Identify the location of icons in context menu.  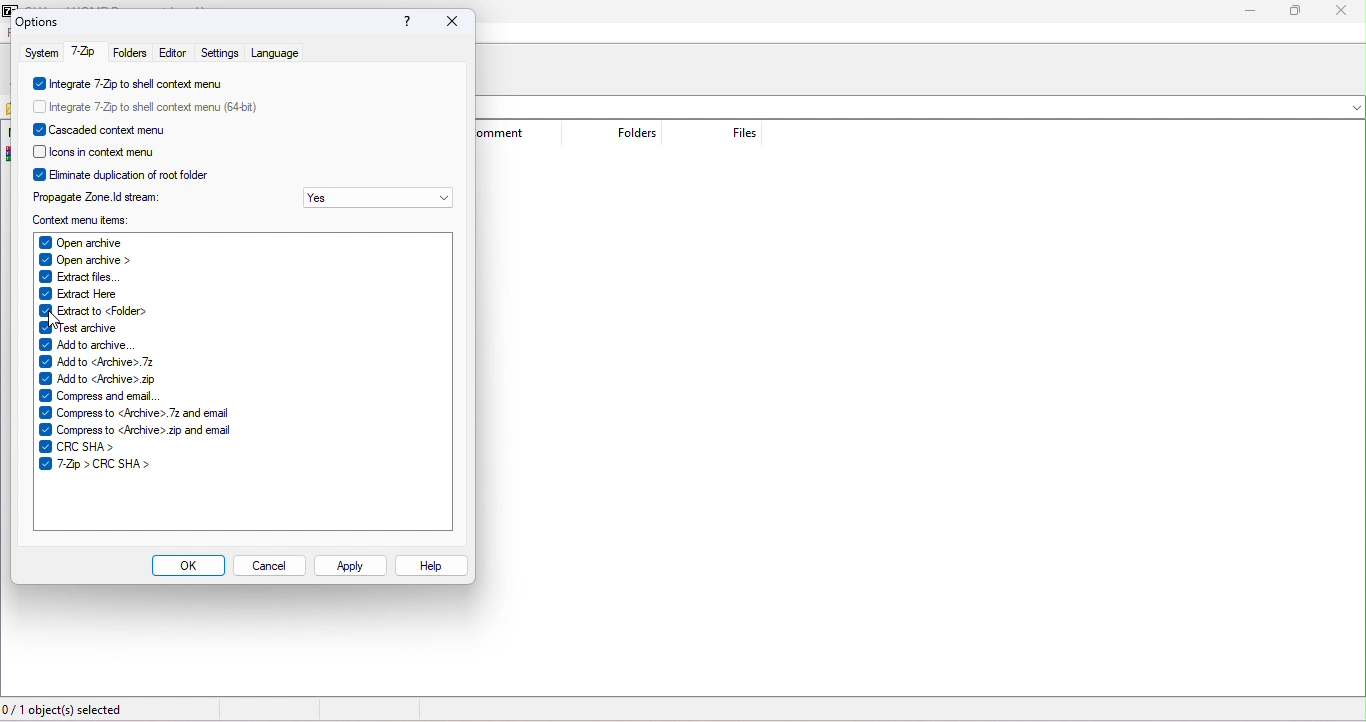
(111, 150).